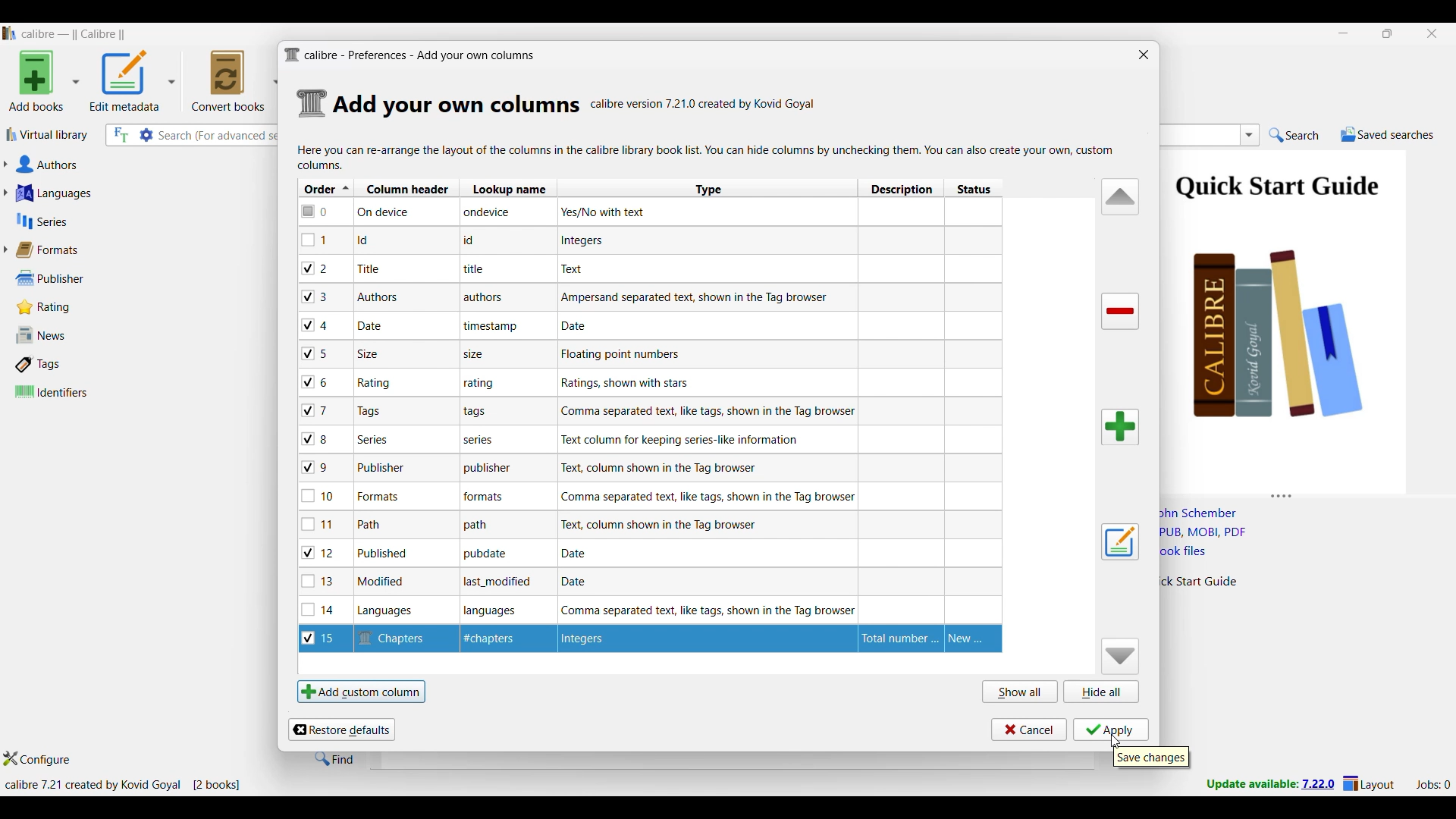 The height and width of the screenshot is (819, 1456). Describe the element at coordinates (704, 104) in the screenshot. I see `Software details` at that location.